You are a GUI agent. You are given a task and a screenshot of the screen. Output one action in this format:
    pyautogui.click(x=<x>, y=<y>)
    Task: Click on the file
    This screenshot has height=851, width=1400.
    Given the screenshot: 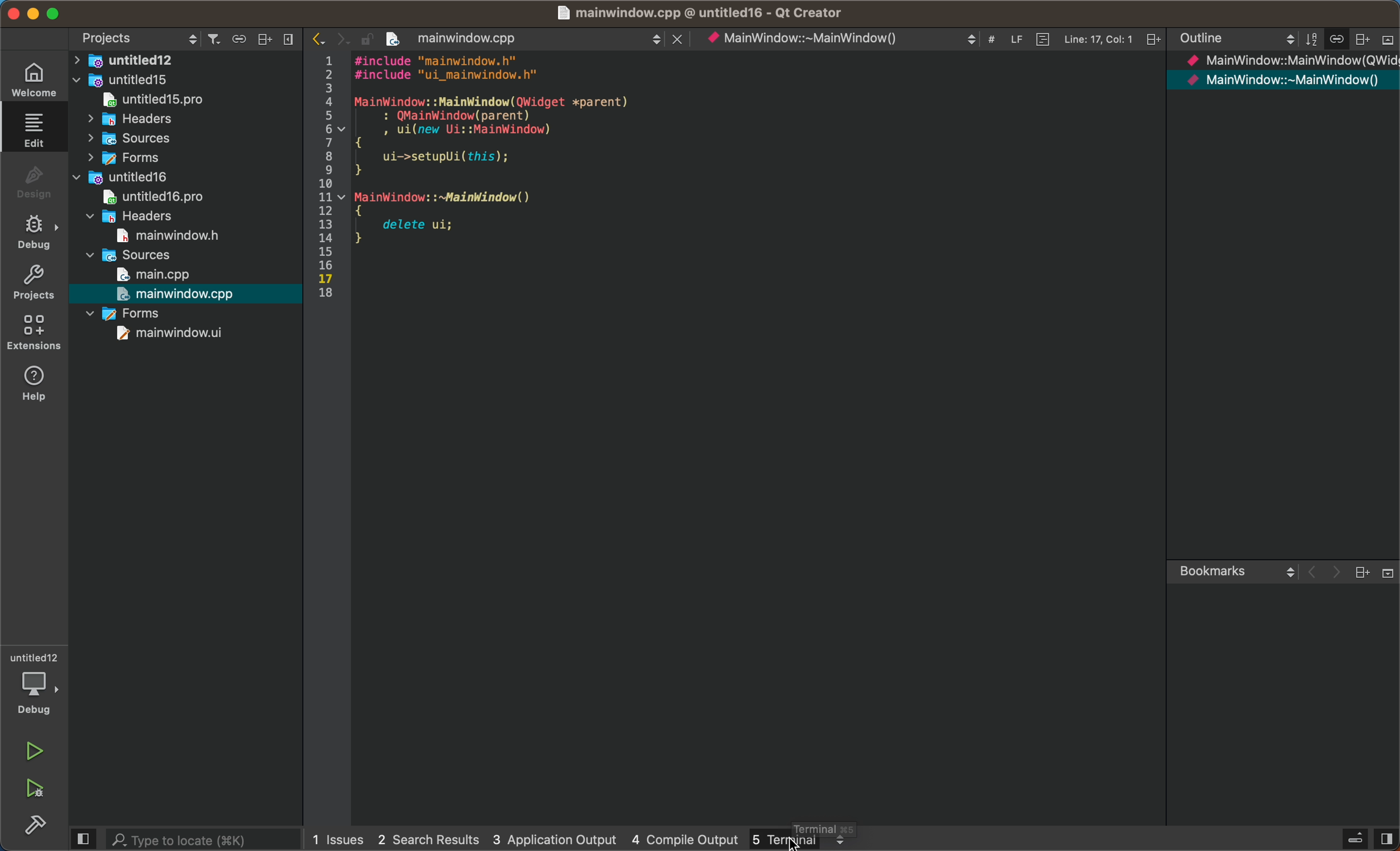 What is the action you would take?
    pyautogui.click(x=165, y=198)
    